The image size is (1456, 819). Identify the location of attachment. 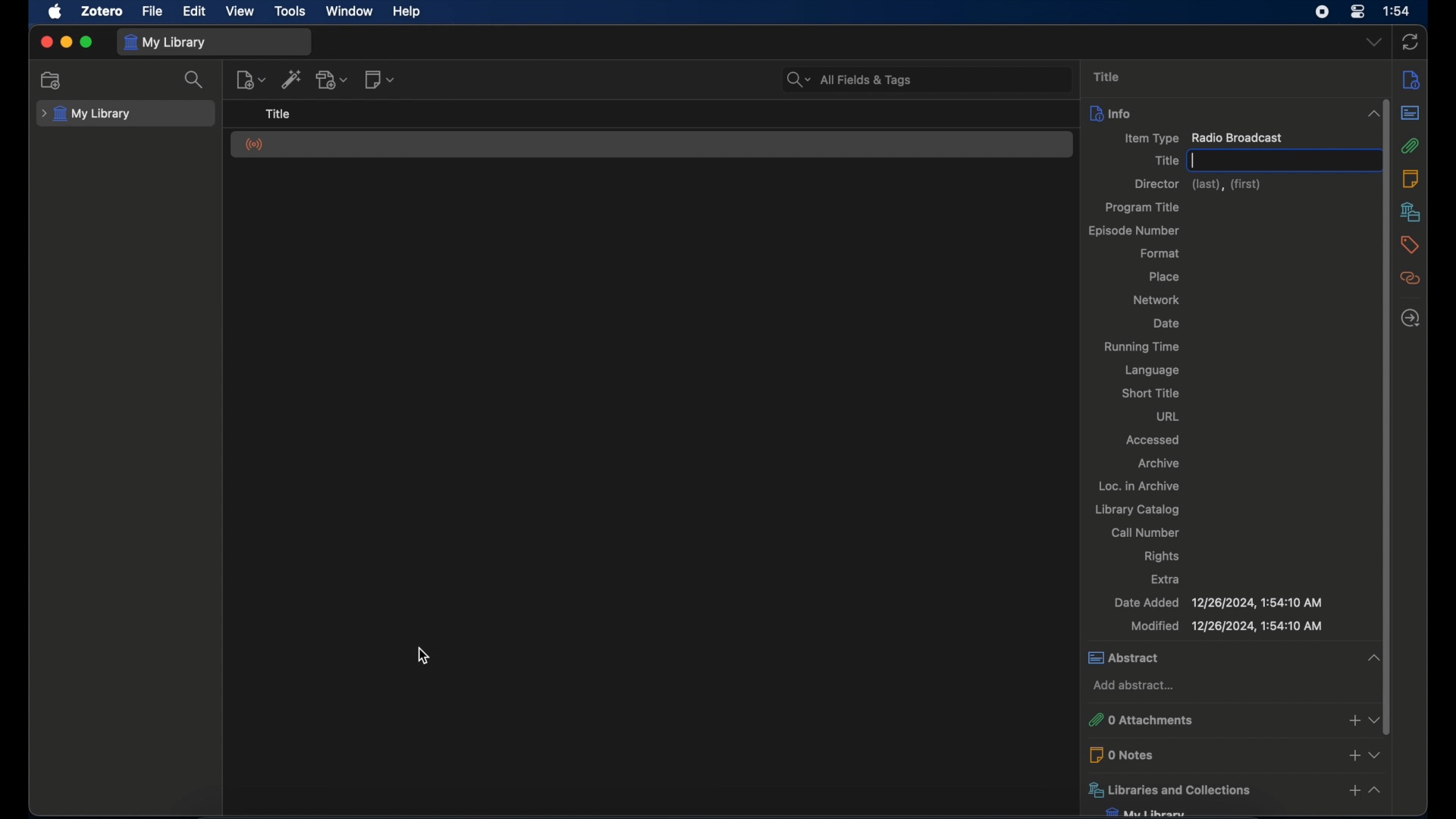
(1411, 146).